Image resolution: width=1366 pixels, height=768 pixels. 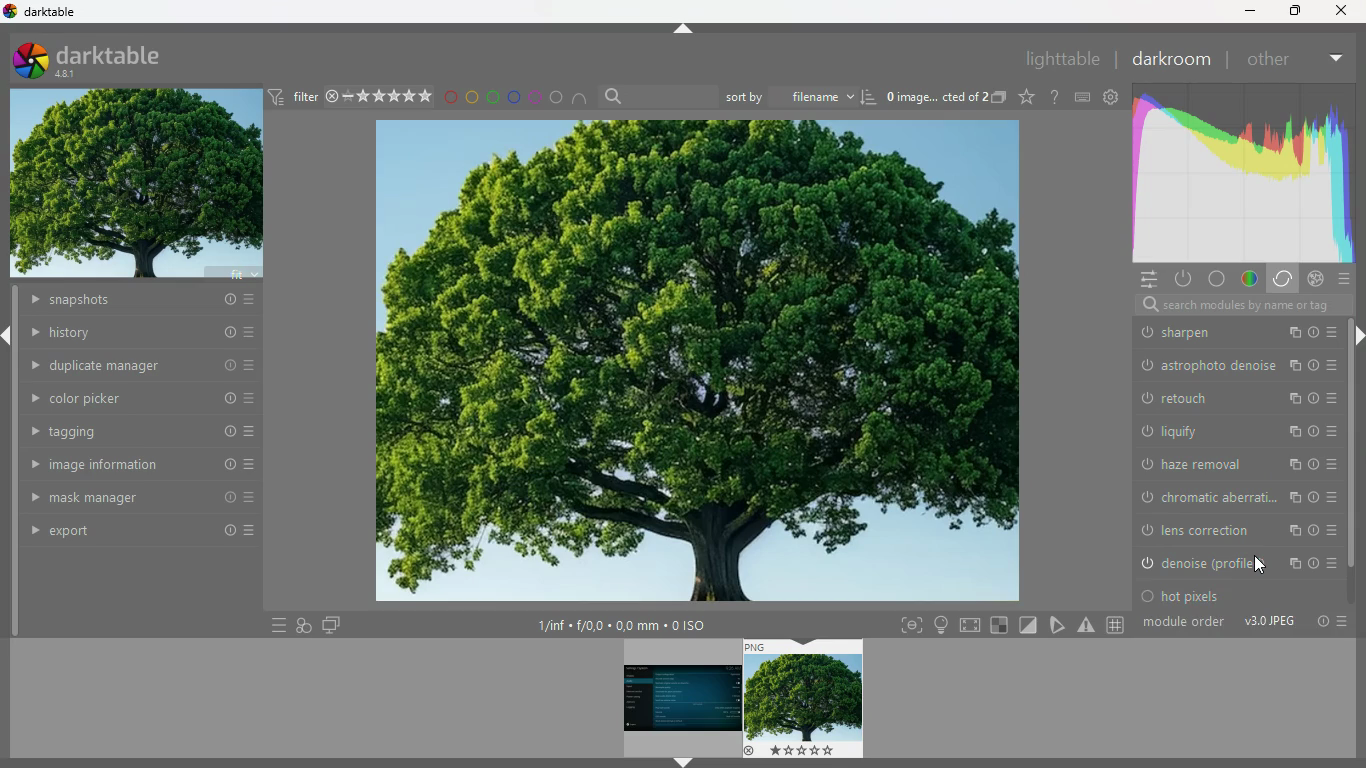 I want to click on minimize, so click(x=1250, y=12).